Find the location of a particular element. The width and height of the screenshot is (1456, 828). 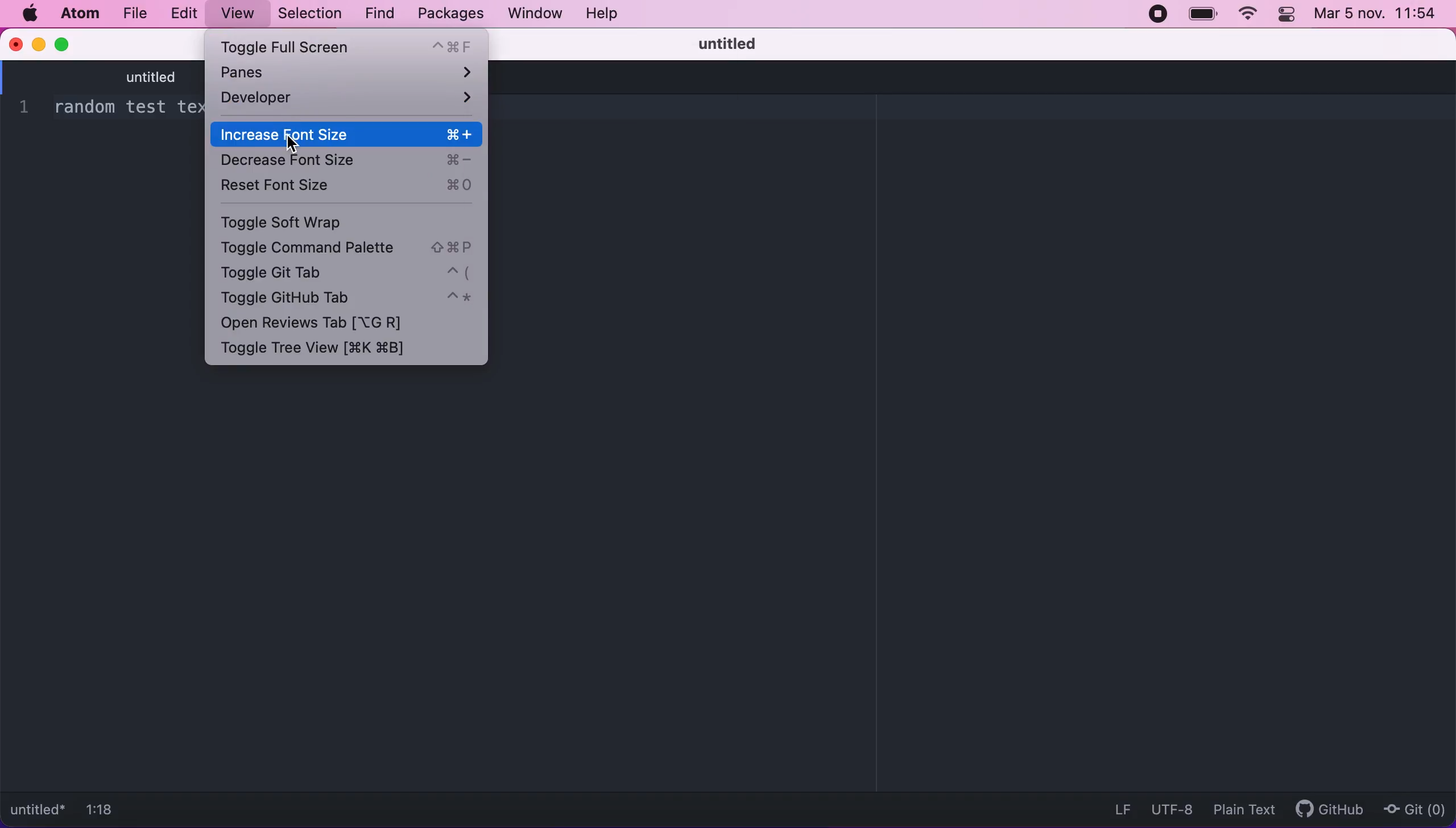

toggle command palette is located at coordinates (349, 249).